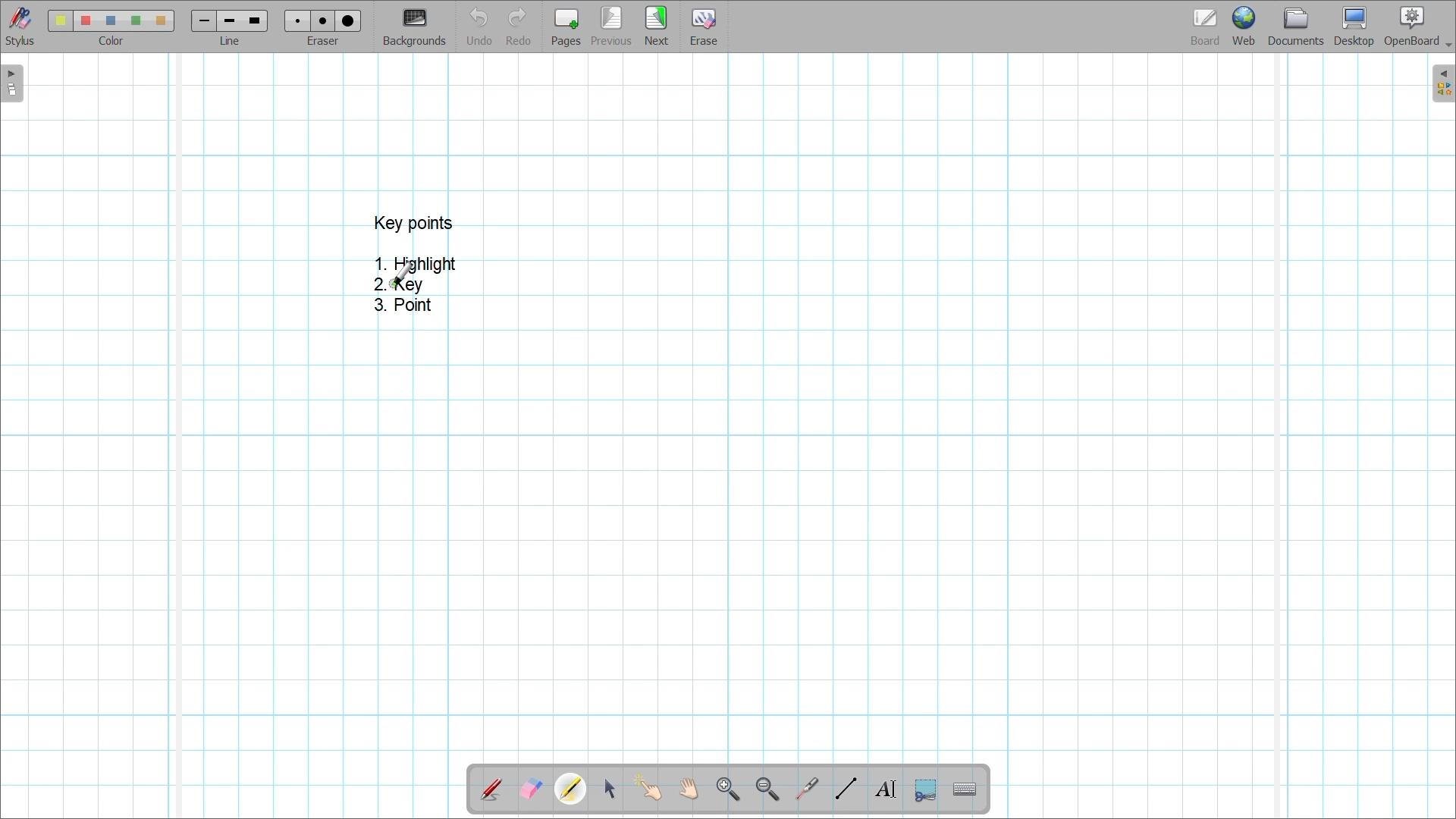 This screenshot has height=819, width=1456. I want to click on 2. Key, so click(396, 285).